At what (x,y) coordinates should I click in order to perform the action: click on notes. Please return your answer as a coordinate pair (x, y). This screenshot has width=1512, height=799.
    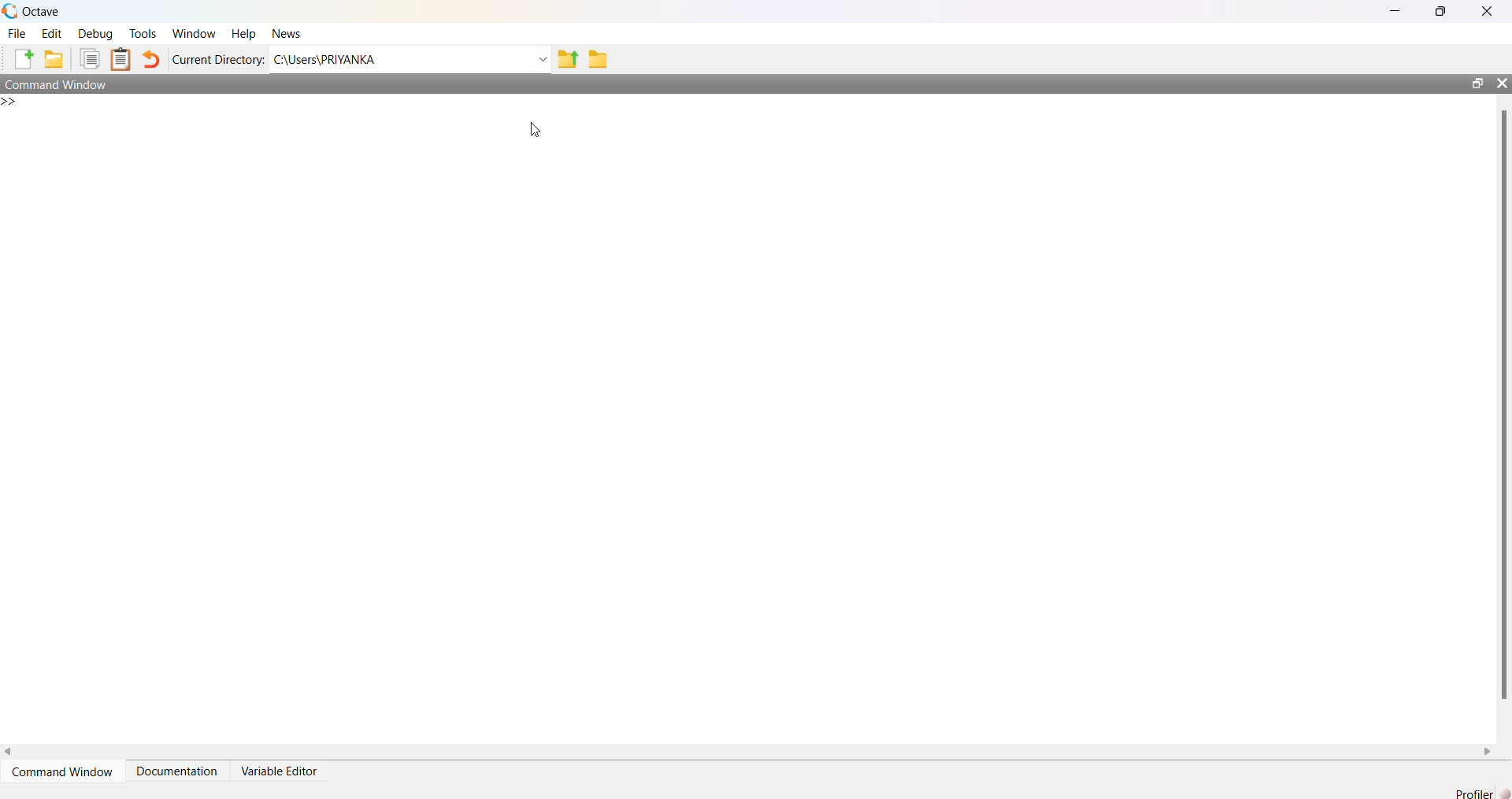
    Looking at the image, I should click on (120, 57).